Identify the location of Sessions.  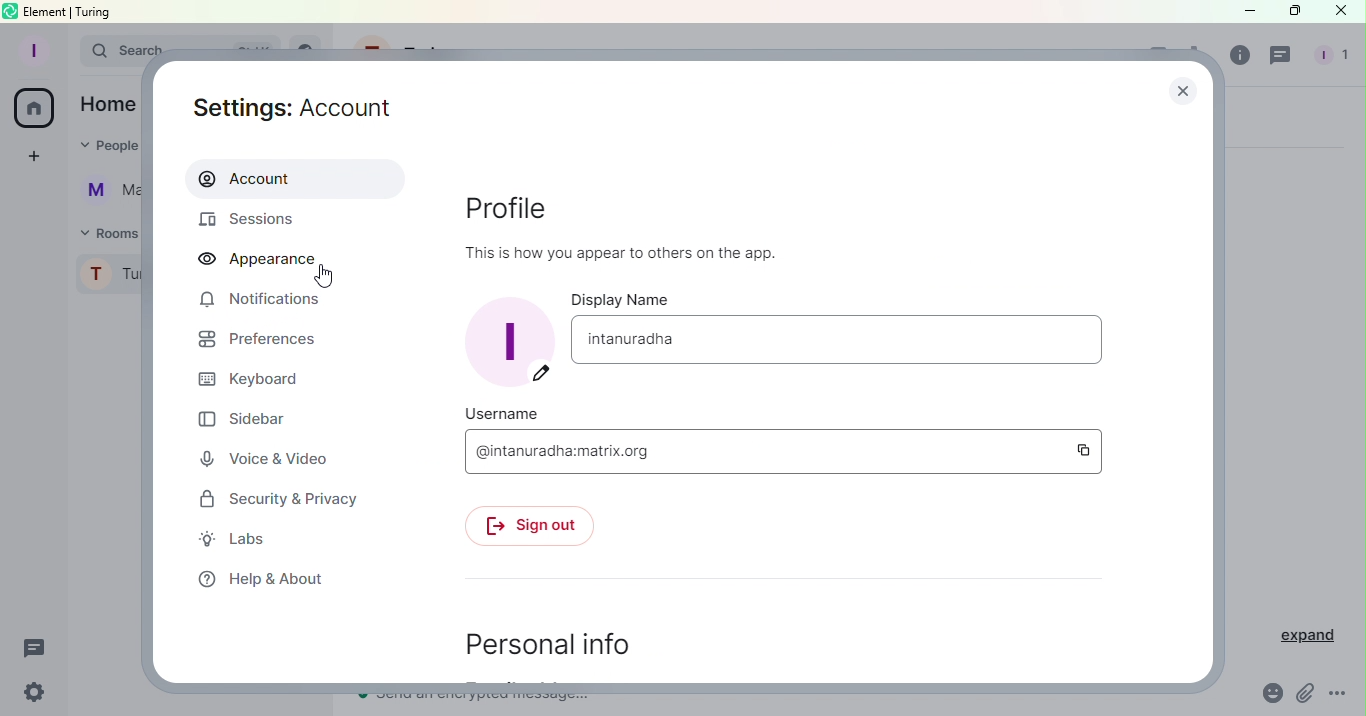
(257, 219).